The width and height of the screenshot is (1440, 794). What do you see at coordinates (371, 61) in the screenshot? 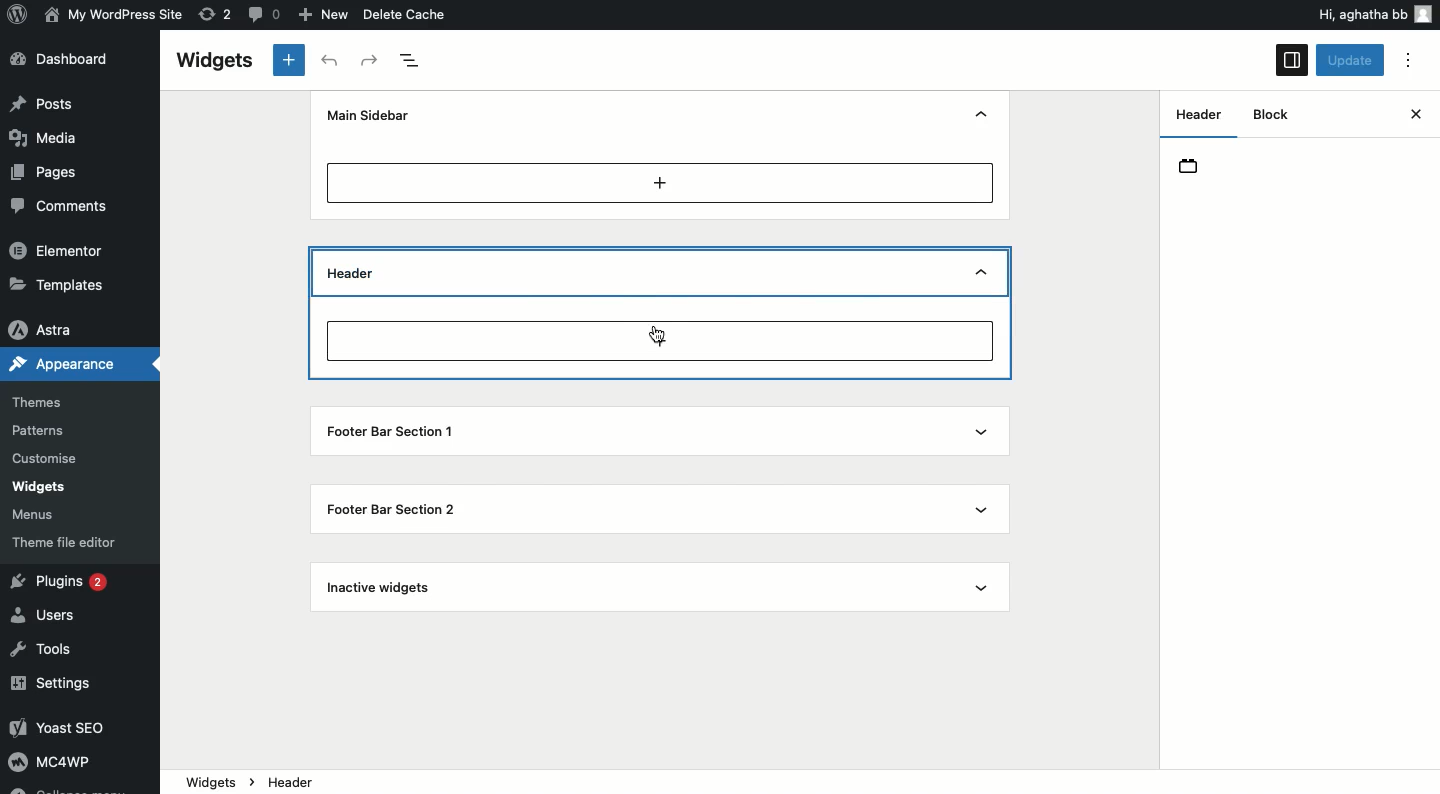
I see `Redo` at bounding box center [371, 61].